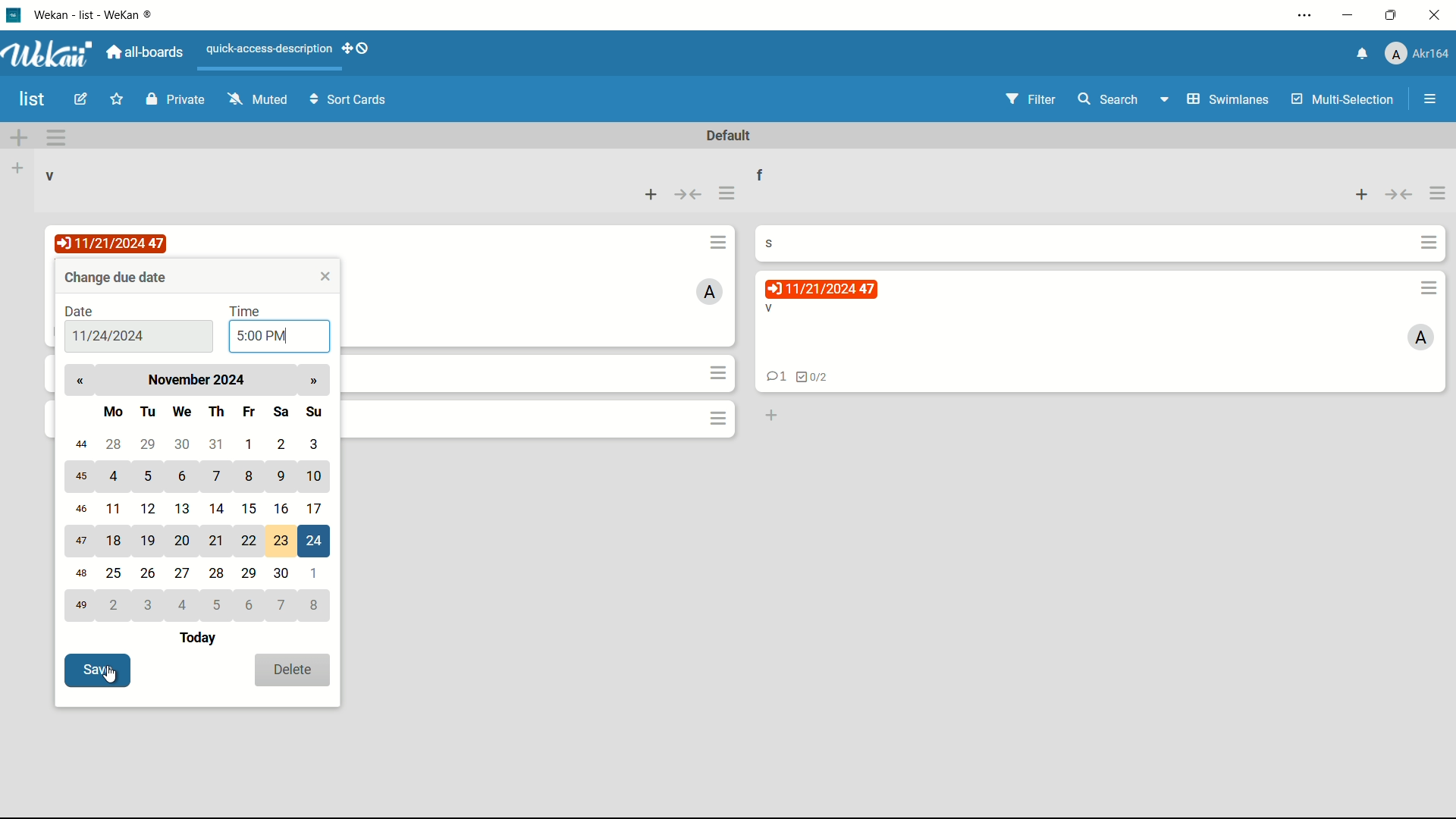 This screenshot has width=1456, height=819. Describe the element at coordinates (1363, 55) in the screenshot. I see `notifications` at that location.